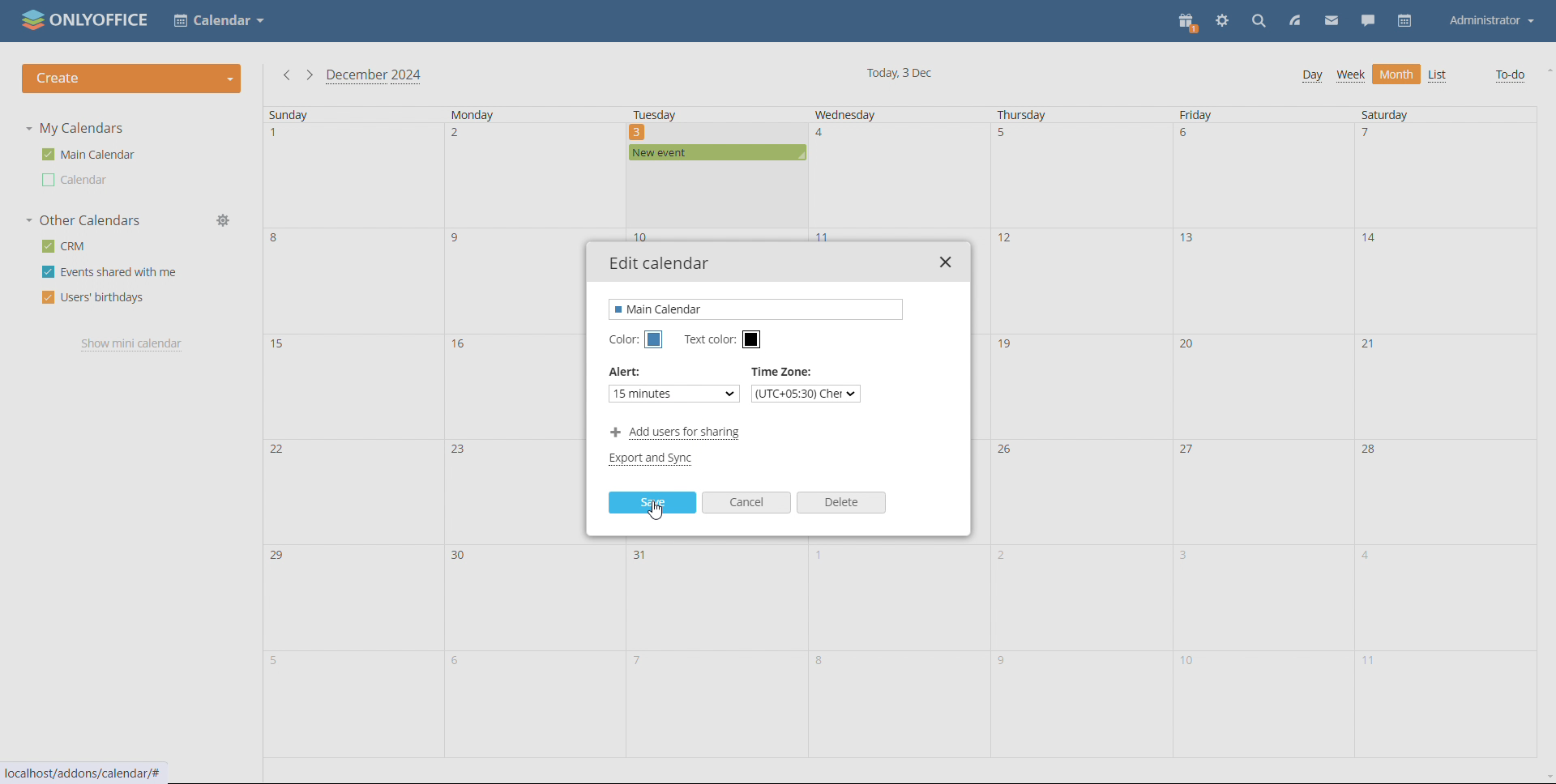 This screenshot has width=1556, height=784. What do you see at coordinates (1268, 596) in the screenshot?
I see `date` at bounding box center [1268, 596].